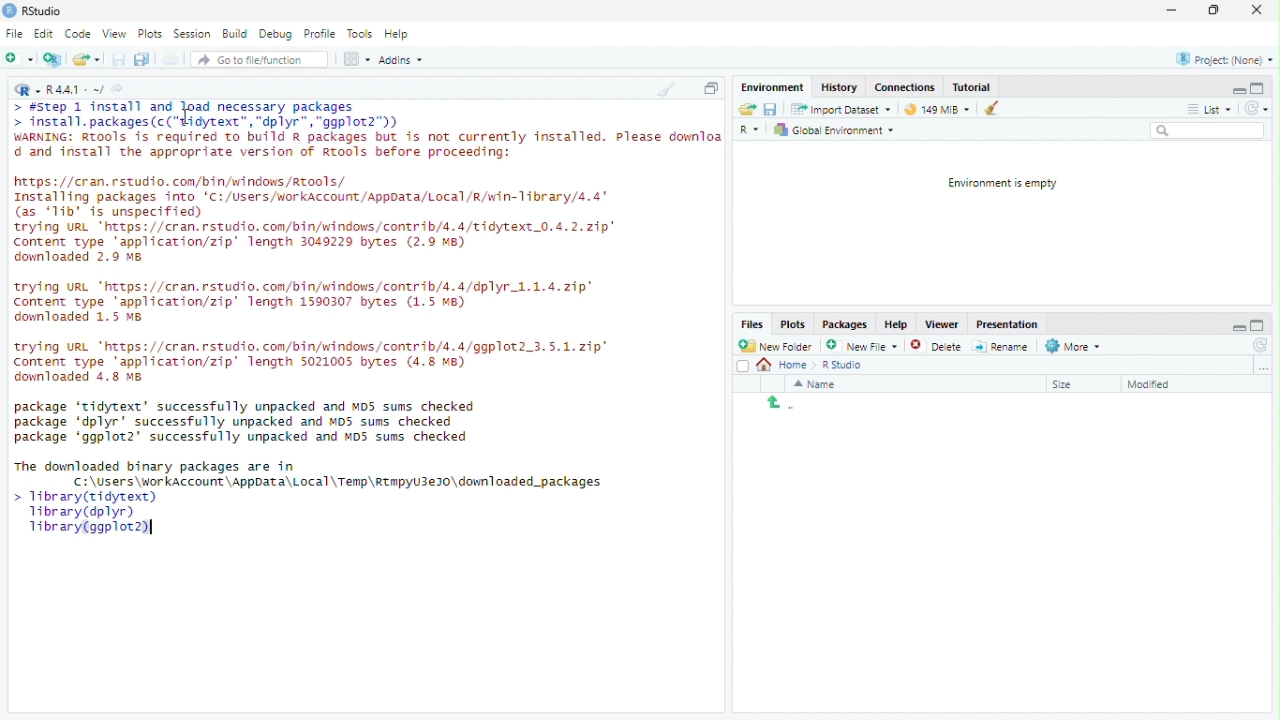 Image resolution: width=1280 pixels, height=720 pixels. Describe the element at coordinates (972, 87) in the screenshot. I see `Tutorial` at that location.